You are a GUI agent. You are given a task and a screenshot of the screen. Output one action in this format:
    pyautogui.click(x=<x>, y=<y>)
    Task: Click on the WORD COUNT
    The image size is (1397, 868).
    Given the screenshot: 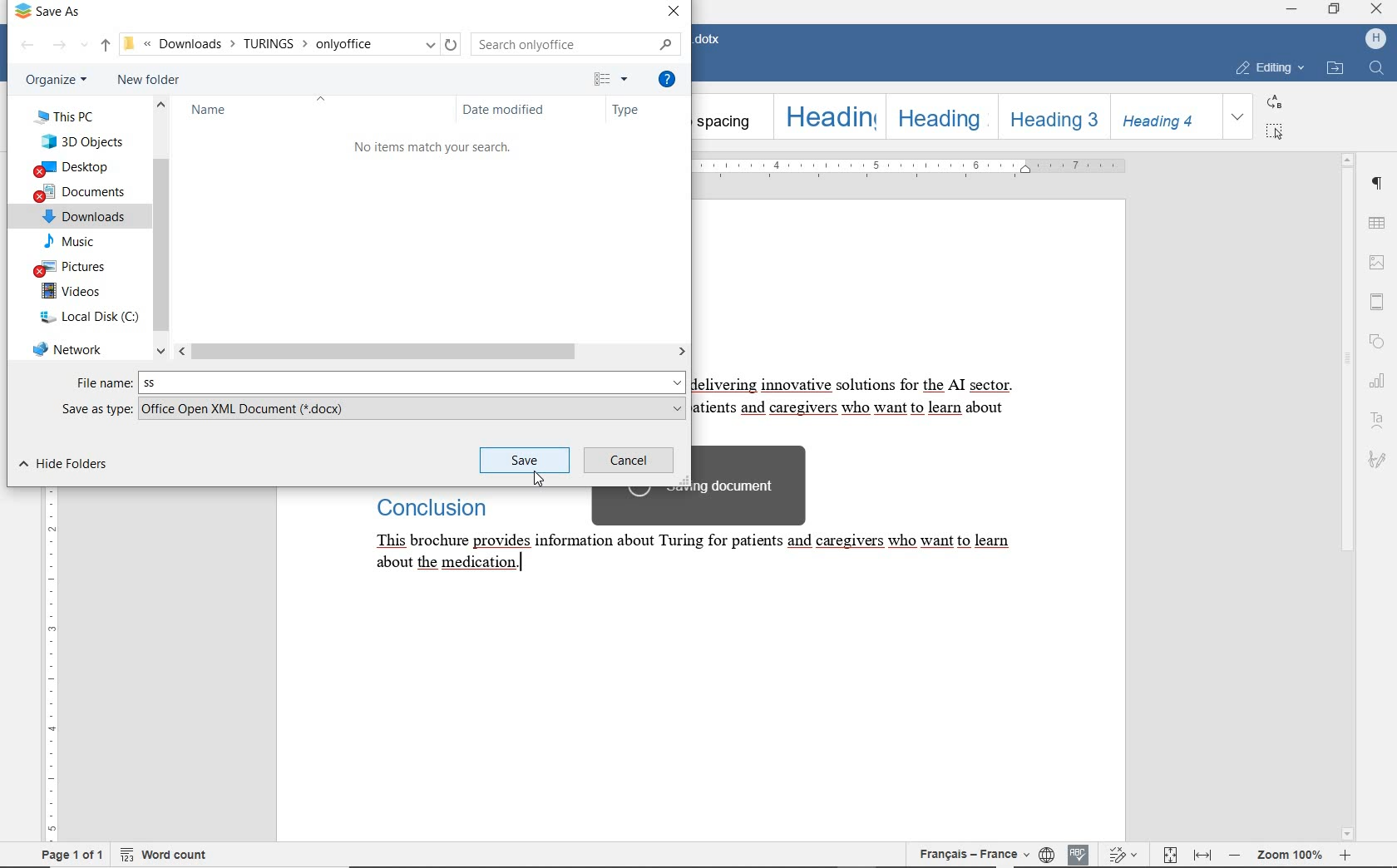 What is the action you would take?
    pyautogui.click(x=171, y=853)
    